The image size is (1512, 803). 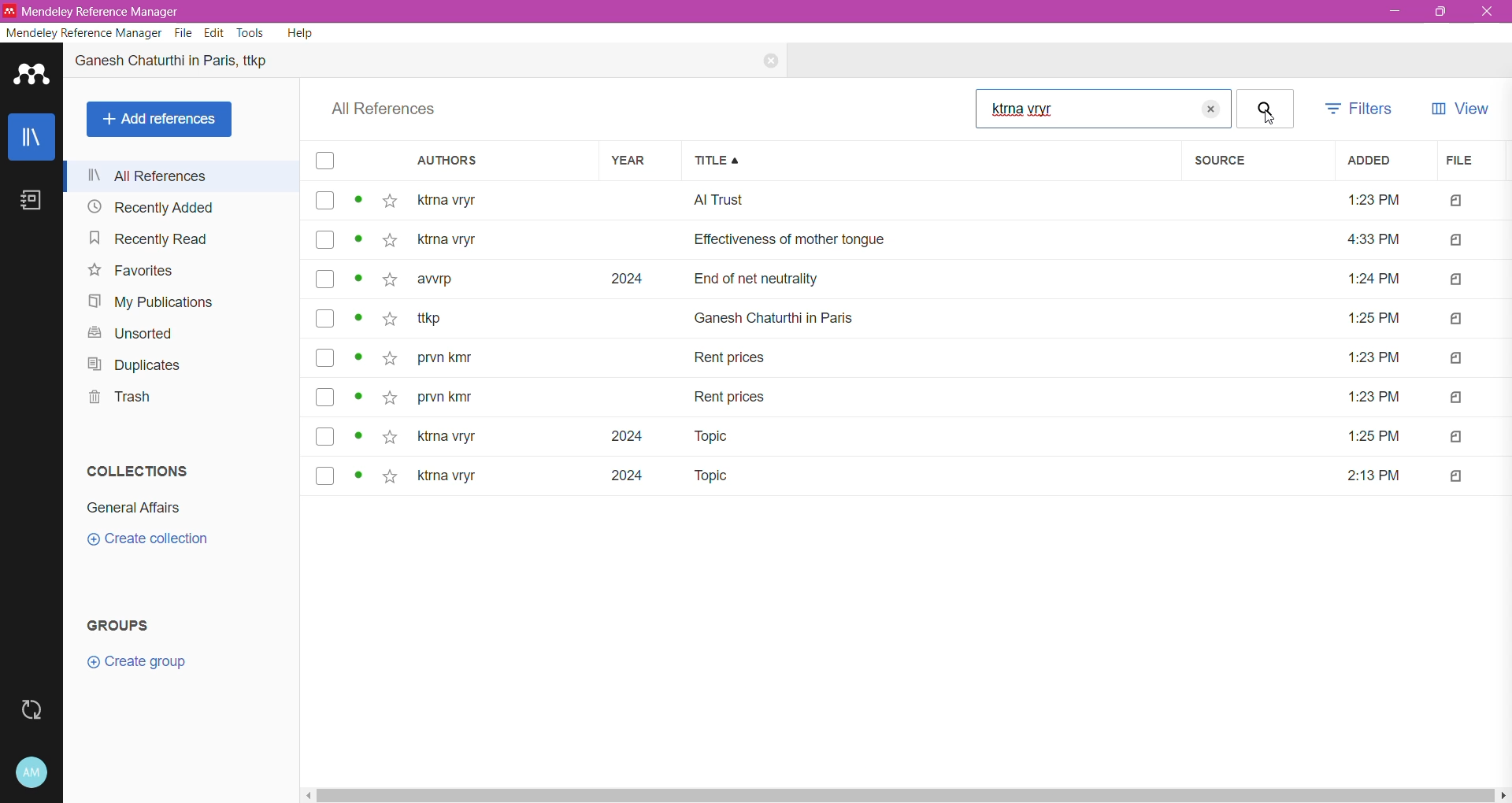 What do you see at coordinates (128, 334) in the screenshot?
I see `Unsorted` at bounding box center [128, 334].